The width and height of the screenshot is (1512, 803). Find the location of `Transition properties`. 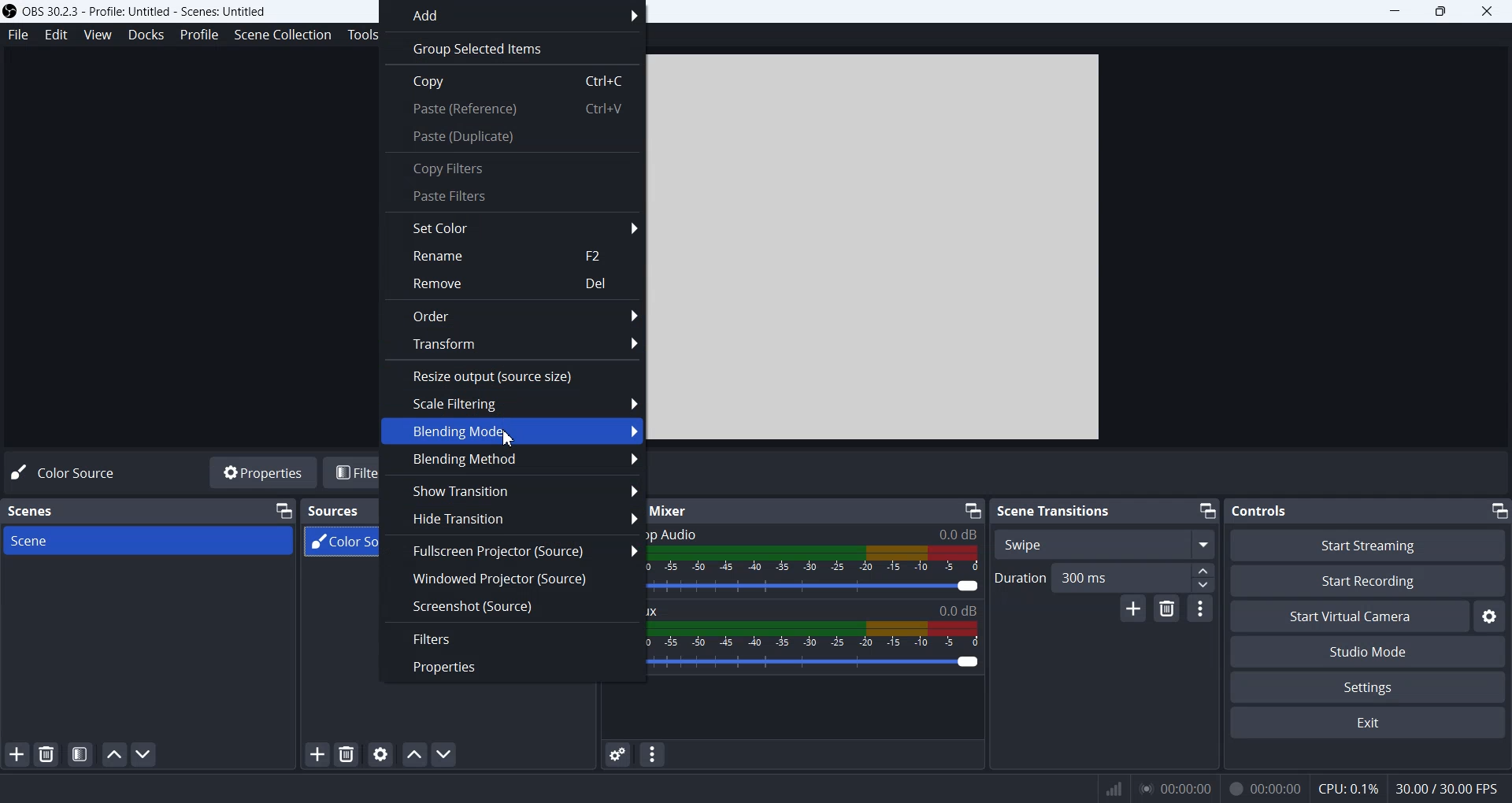

Transition properties is located at coordinates (1200, 608).